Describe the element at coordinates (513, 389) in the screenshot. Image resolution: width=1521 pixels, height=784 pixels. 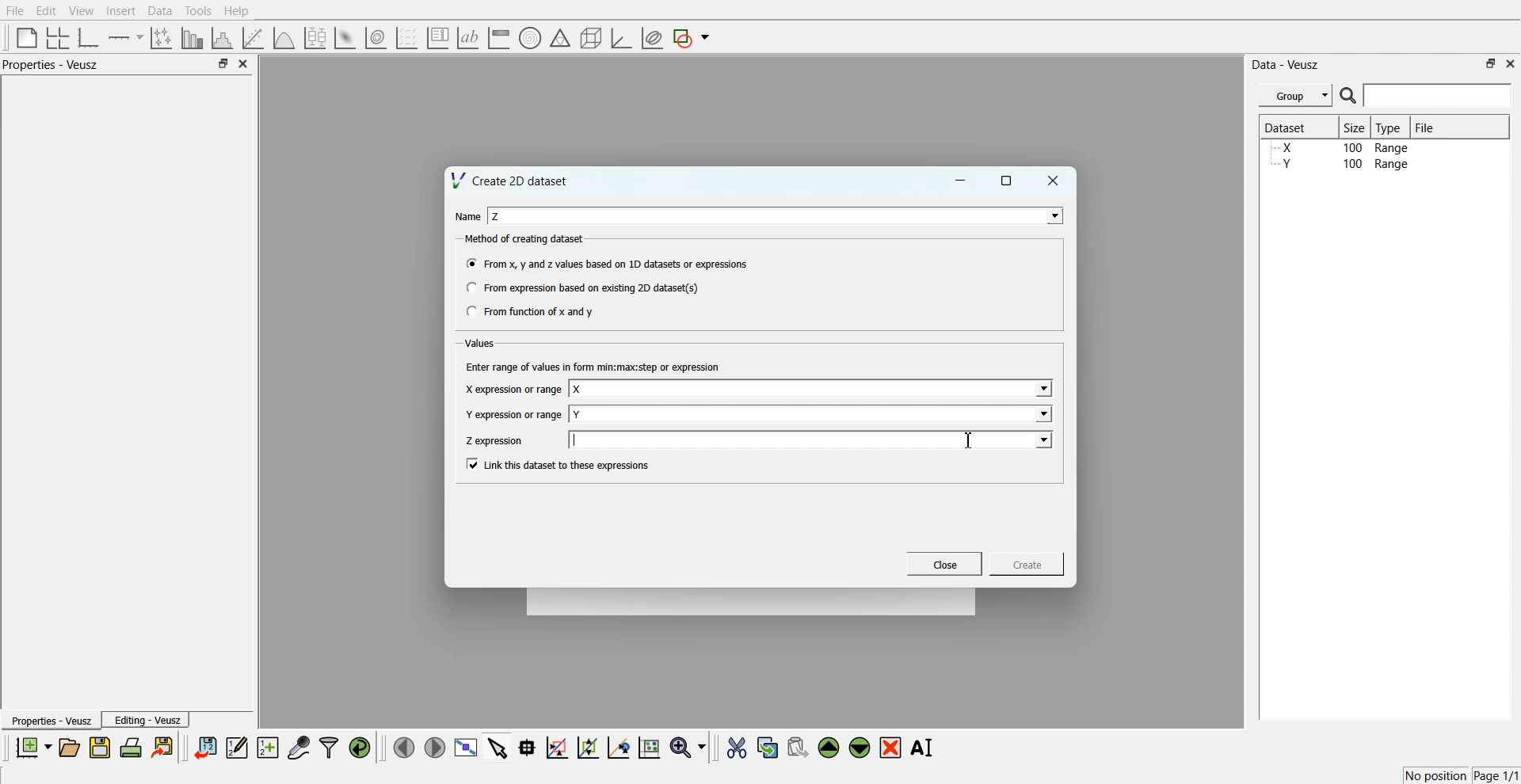
I see `MX expression or range` at that location.